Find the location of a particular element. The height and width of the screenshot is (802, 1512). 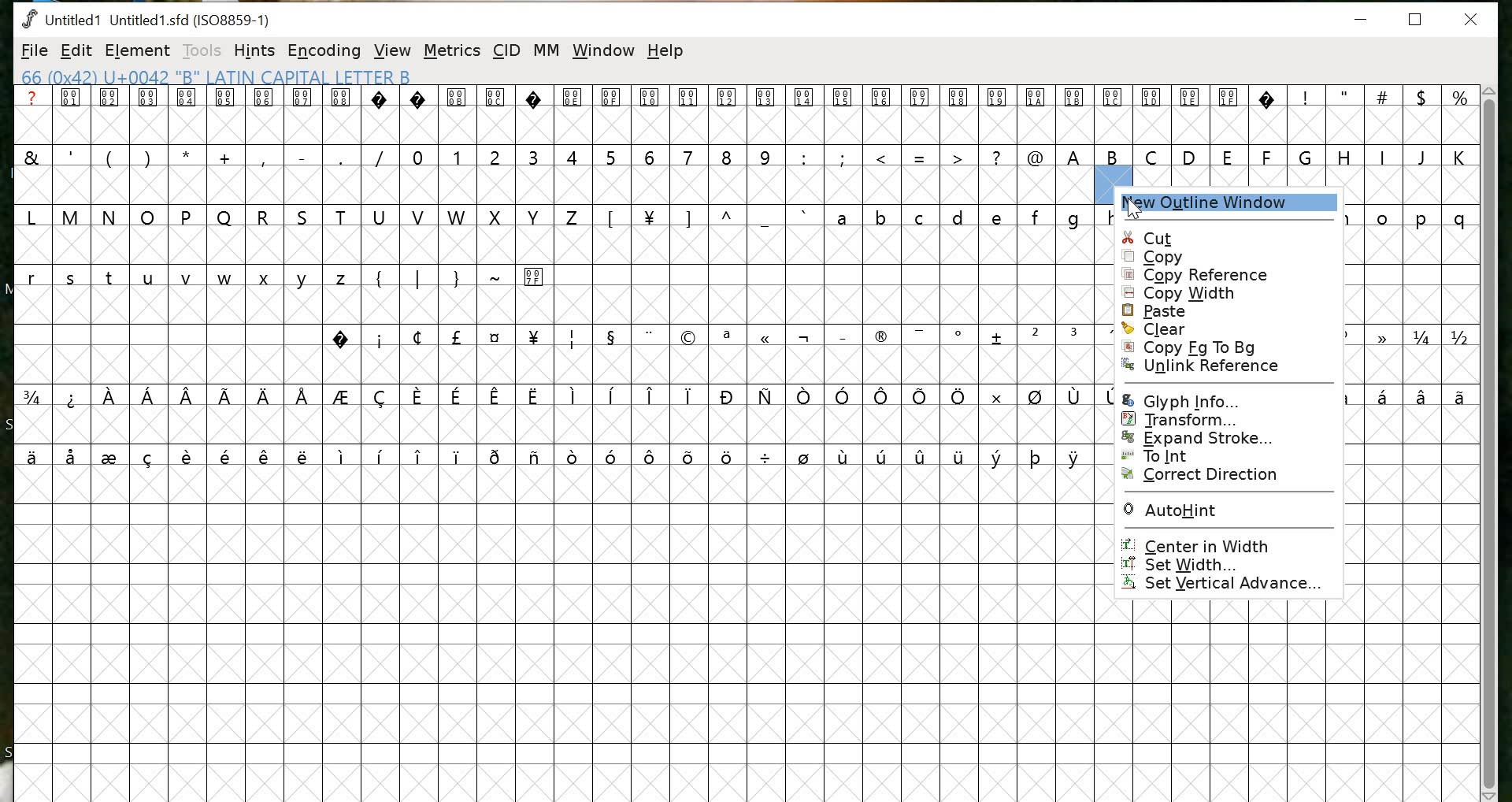

To Int is located at coordinates (1229, 457).